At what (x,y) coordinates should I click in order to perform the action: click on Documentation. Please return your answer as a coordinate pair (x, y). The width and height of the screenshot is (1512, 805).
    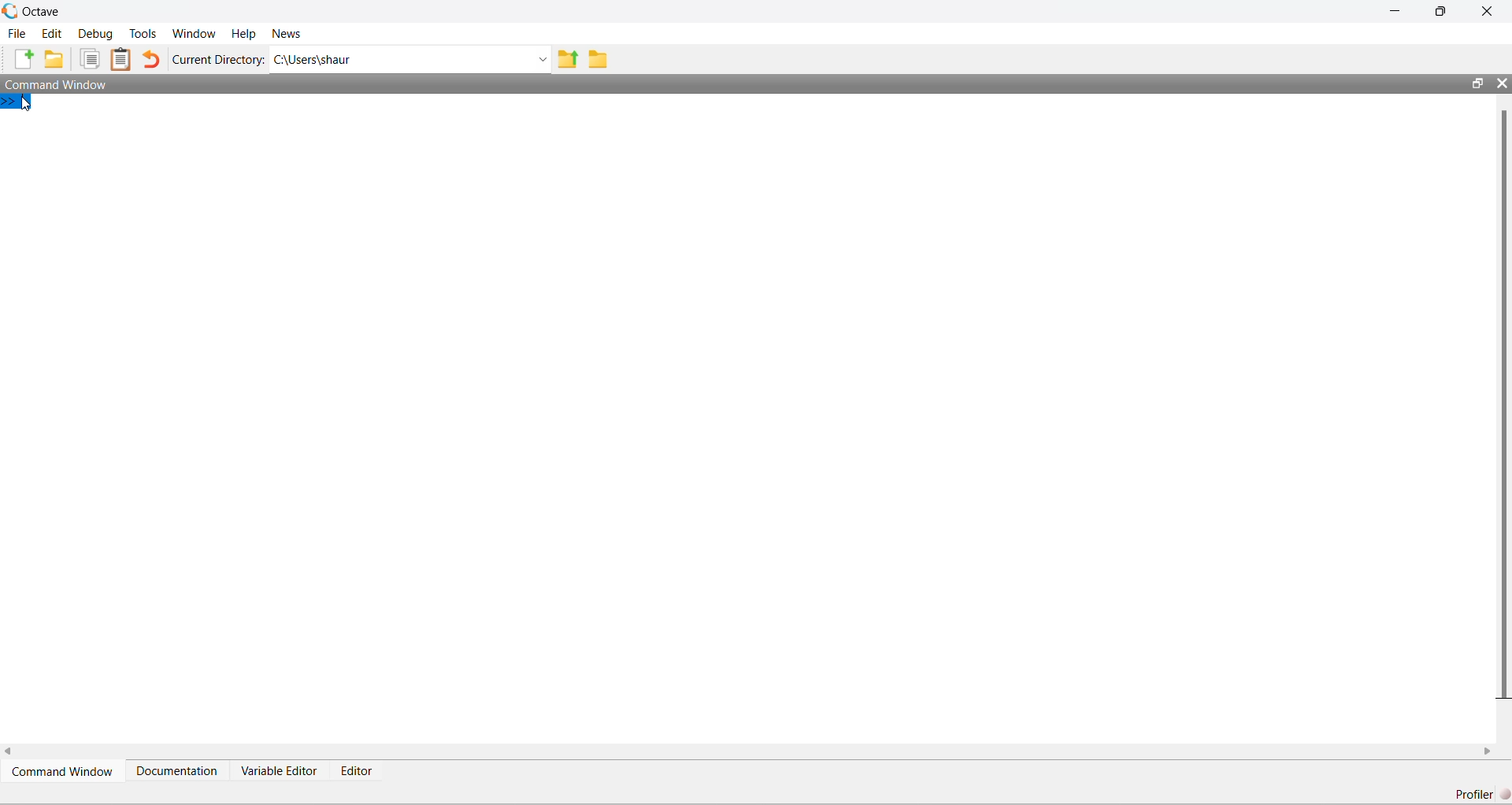
    Looking at the image, I should click on (177, 770).